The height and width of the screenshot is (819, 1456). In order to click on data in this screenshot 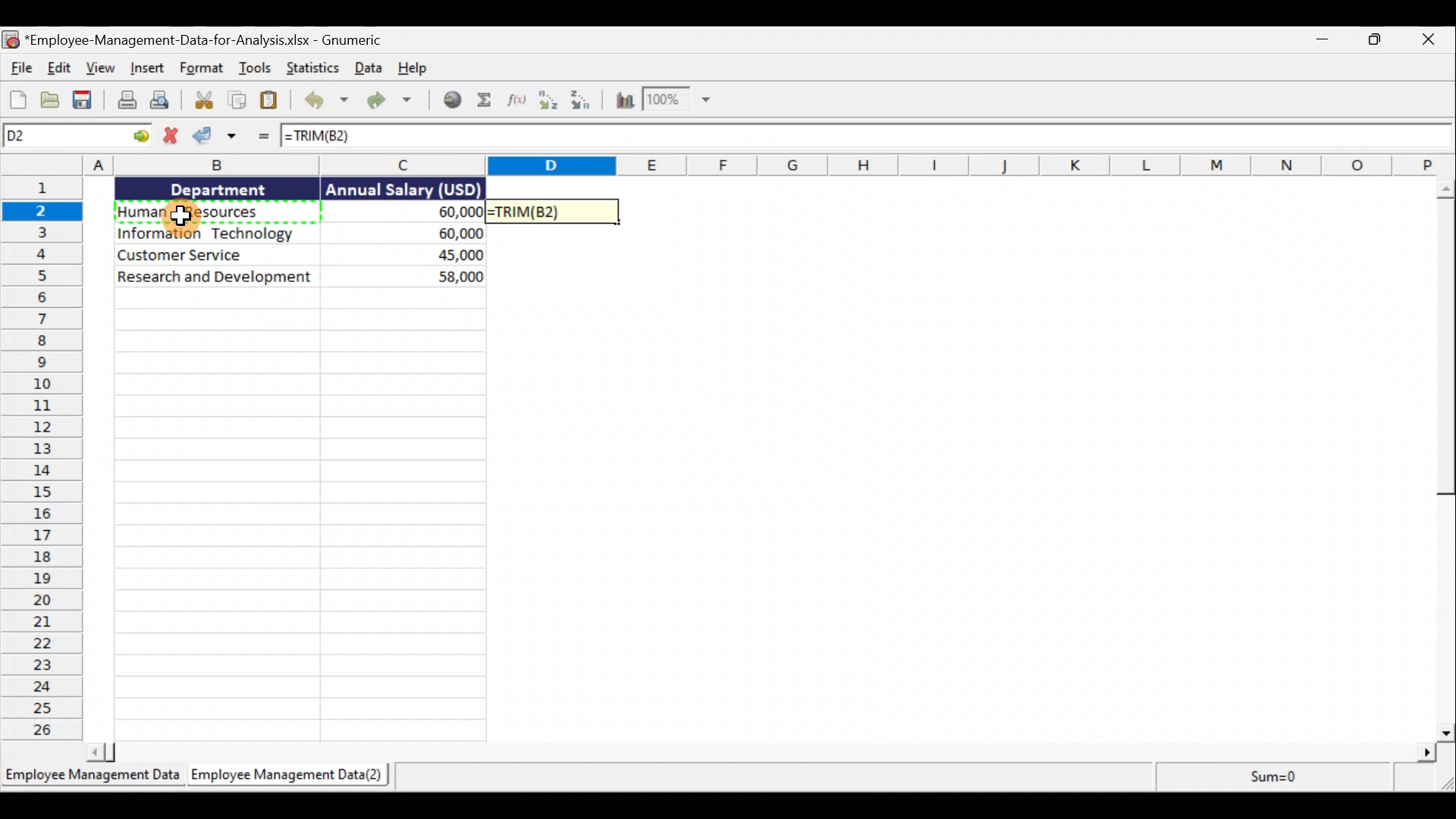, I will do `click(294, 278)`.